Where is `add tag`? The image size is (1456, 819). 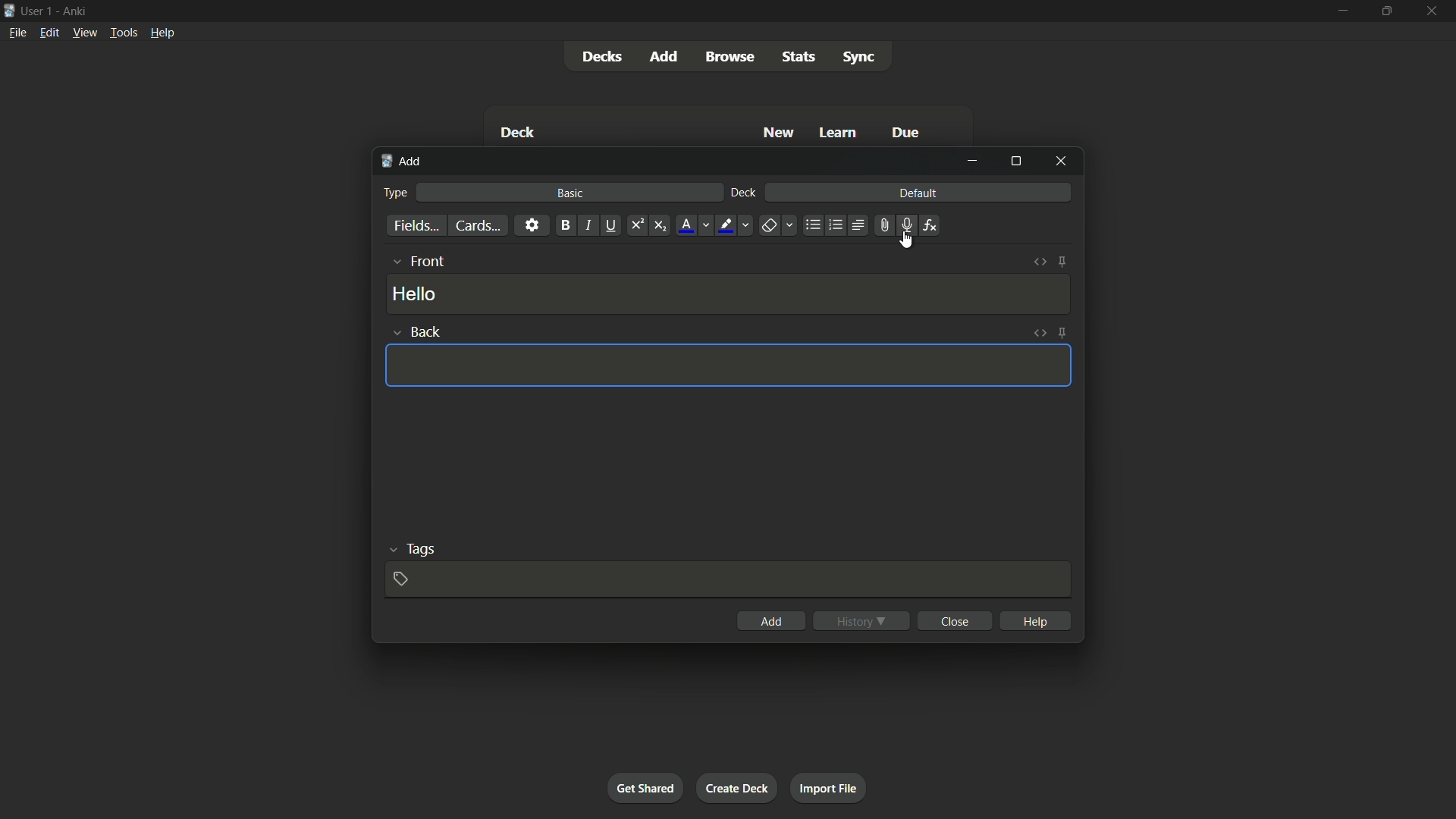 add tag is located at coordinates (400, 579).